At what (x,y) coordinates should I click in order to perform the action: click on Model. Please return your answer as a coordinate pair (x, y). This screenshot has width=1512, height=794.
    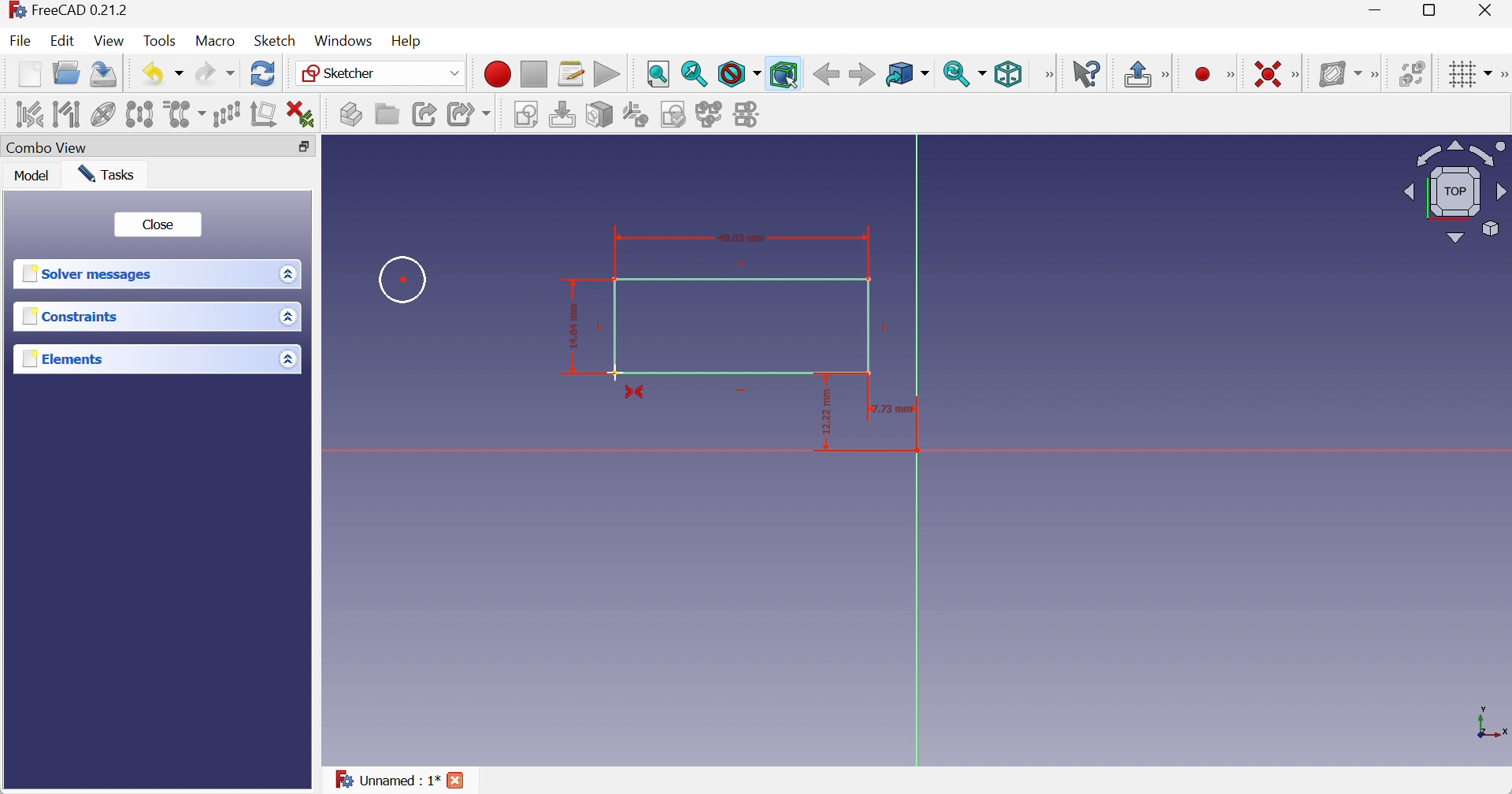
    Looking at the image, I should click on (32, 174).